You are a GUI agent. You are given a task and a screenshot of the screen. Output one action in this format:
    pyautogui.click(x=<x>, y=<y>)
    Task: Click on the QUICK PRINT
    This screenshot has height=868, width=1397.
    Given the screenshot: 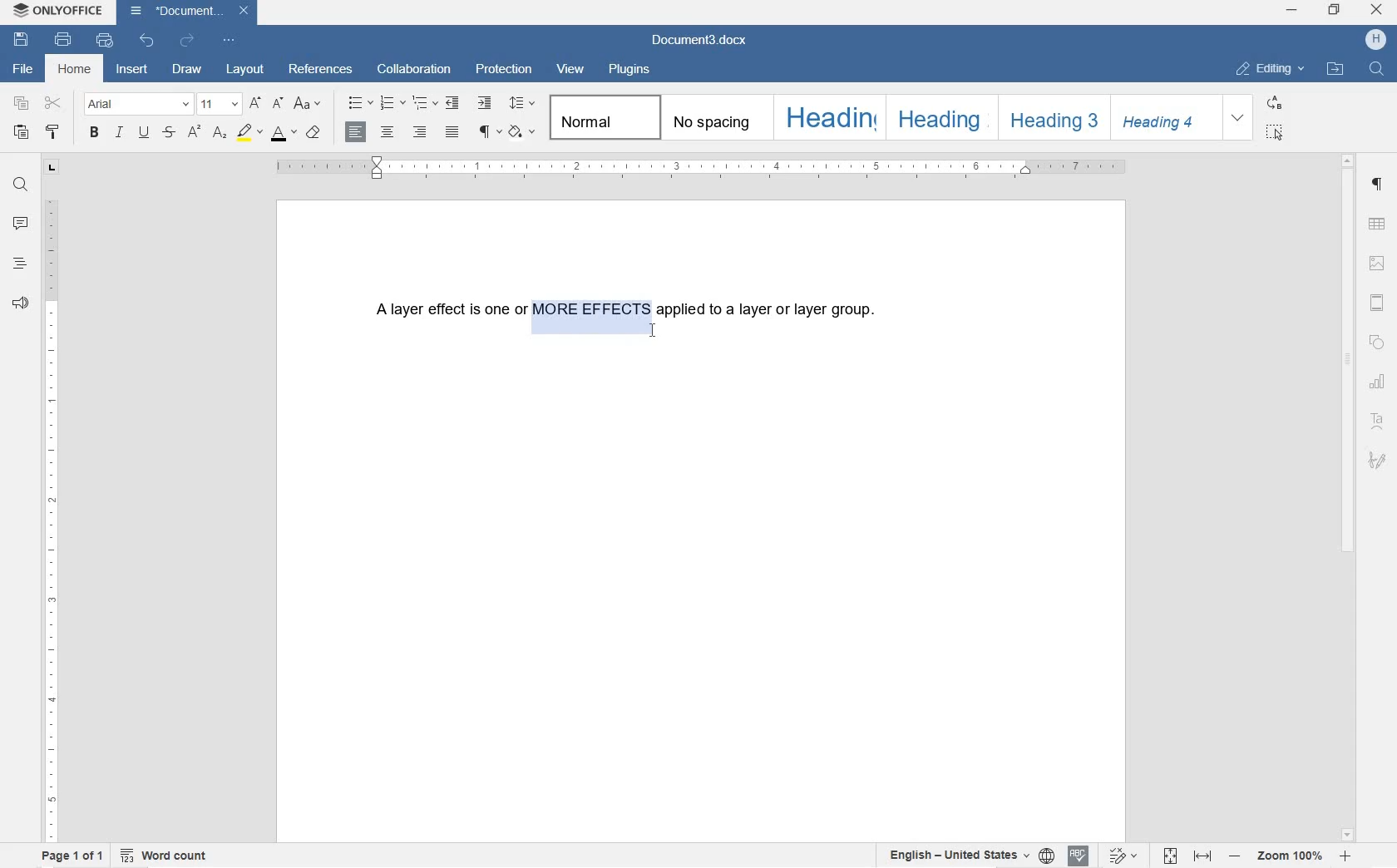 What is the action you would take?
    pyautogui.click(x=104, y=42)
    